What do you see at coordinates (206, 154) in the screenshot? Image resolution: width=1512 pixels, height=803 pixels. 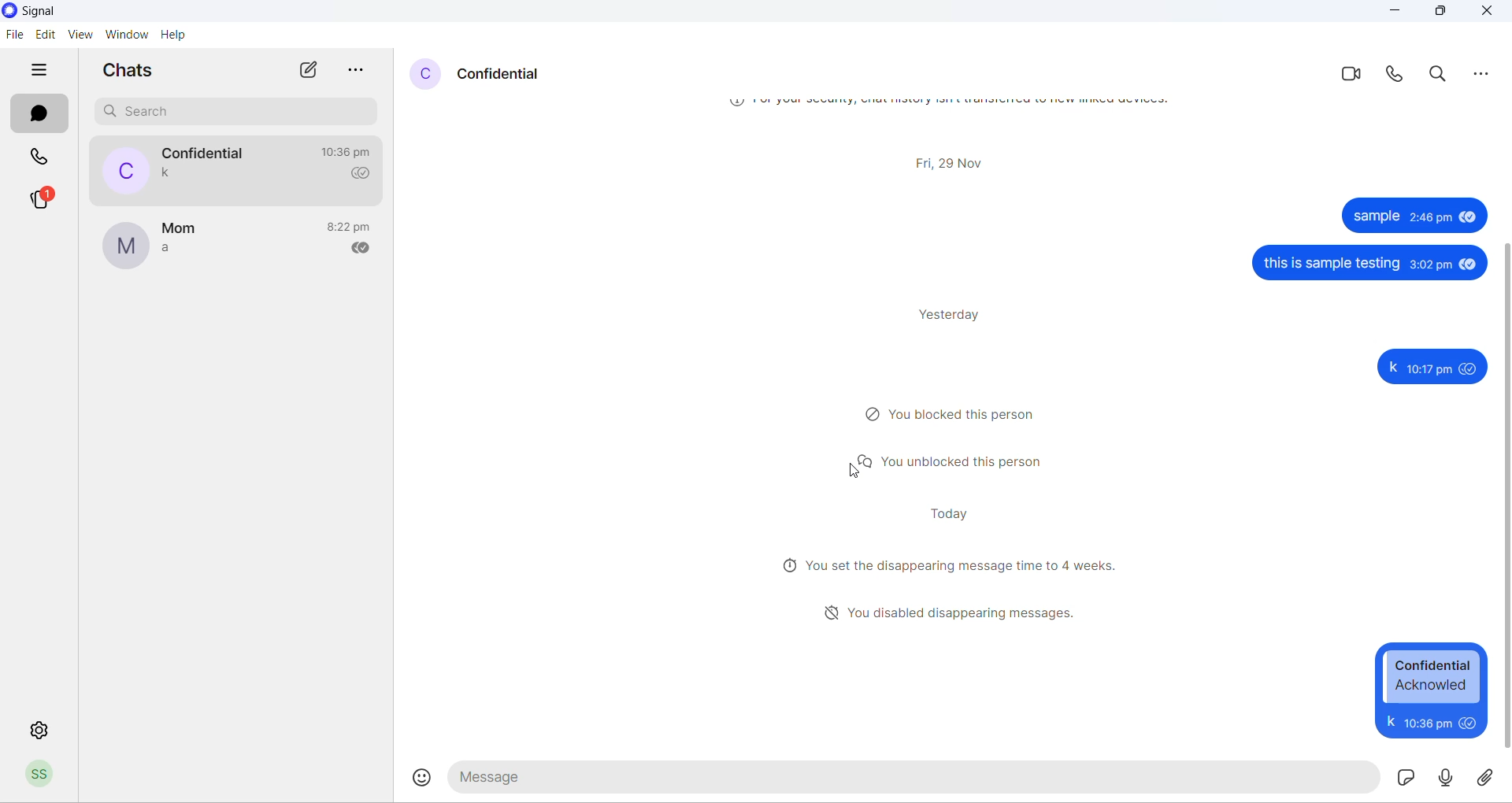 I see `contact name` at bounding box center [206, 154].